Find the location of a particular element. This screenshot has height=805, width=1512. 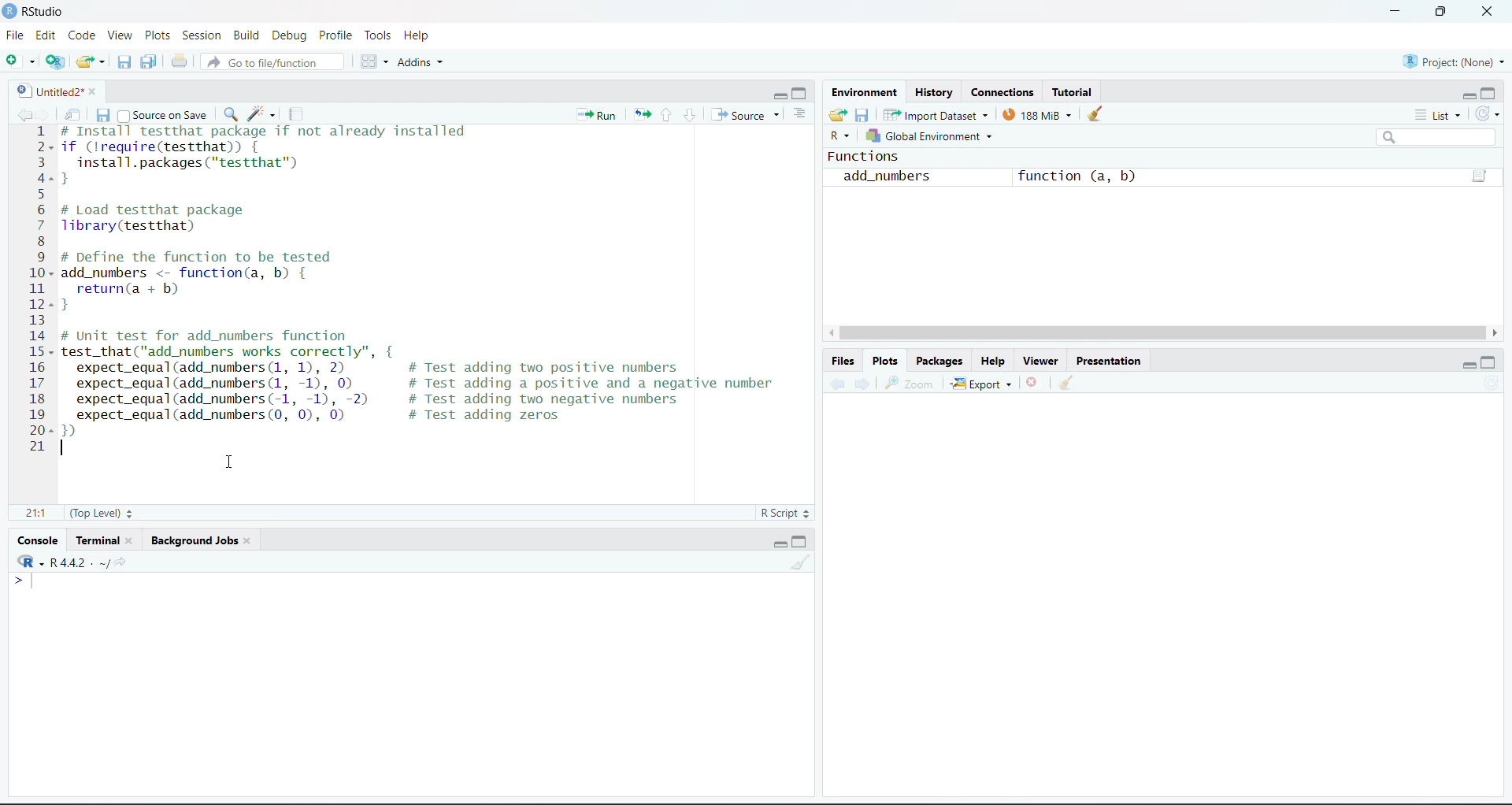

minimize is located at coordinates (1468, 95).